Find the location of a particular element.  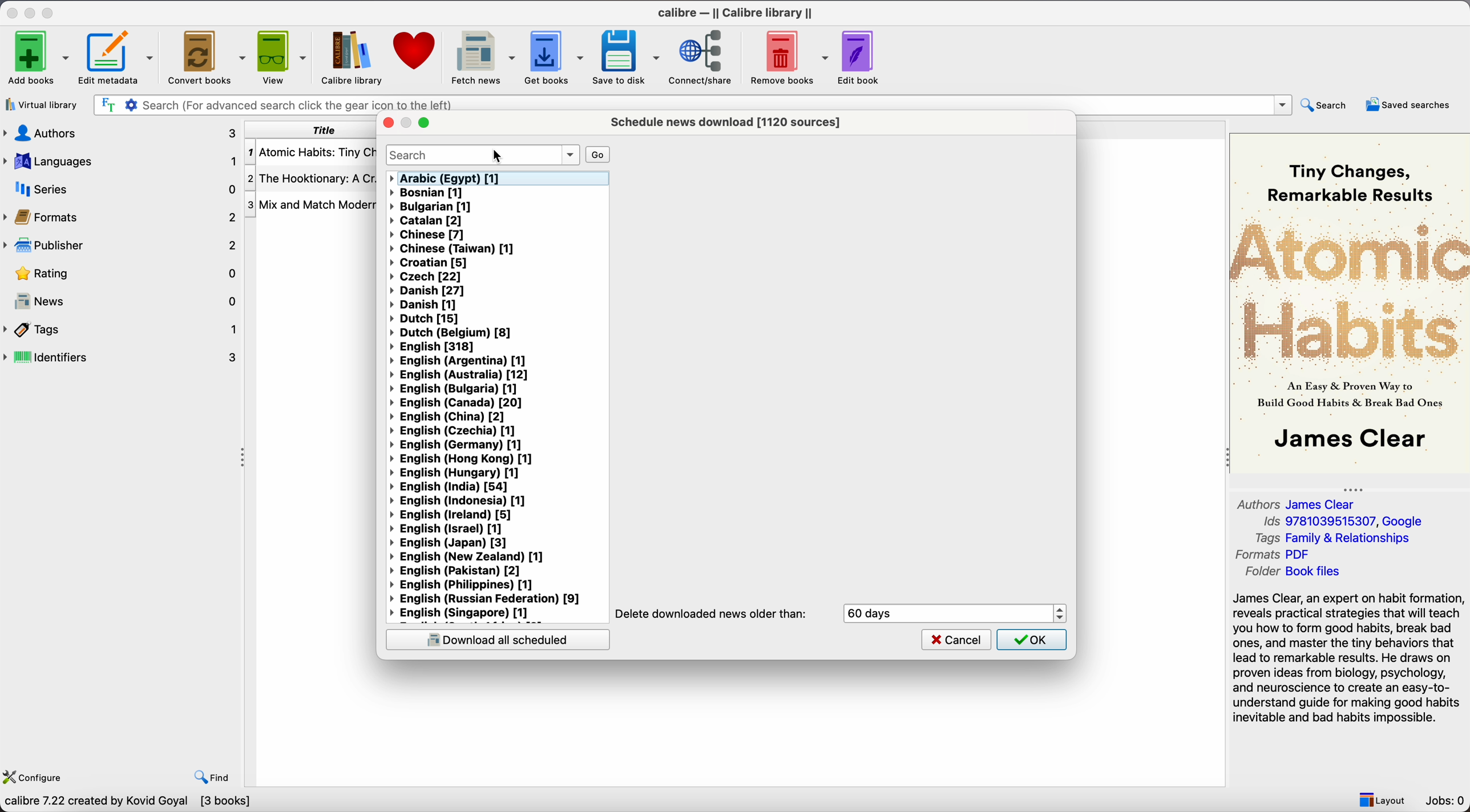

connect/share is located at coordinates (704, 56).